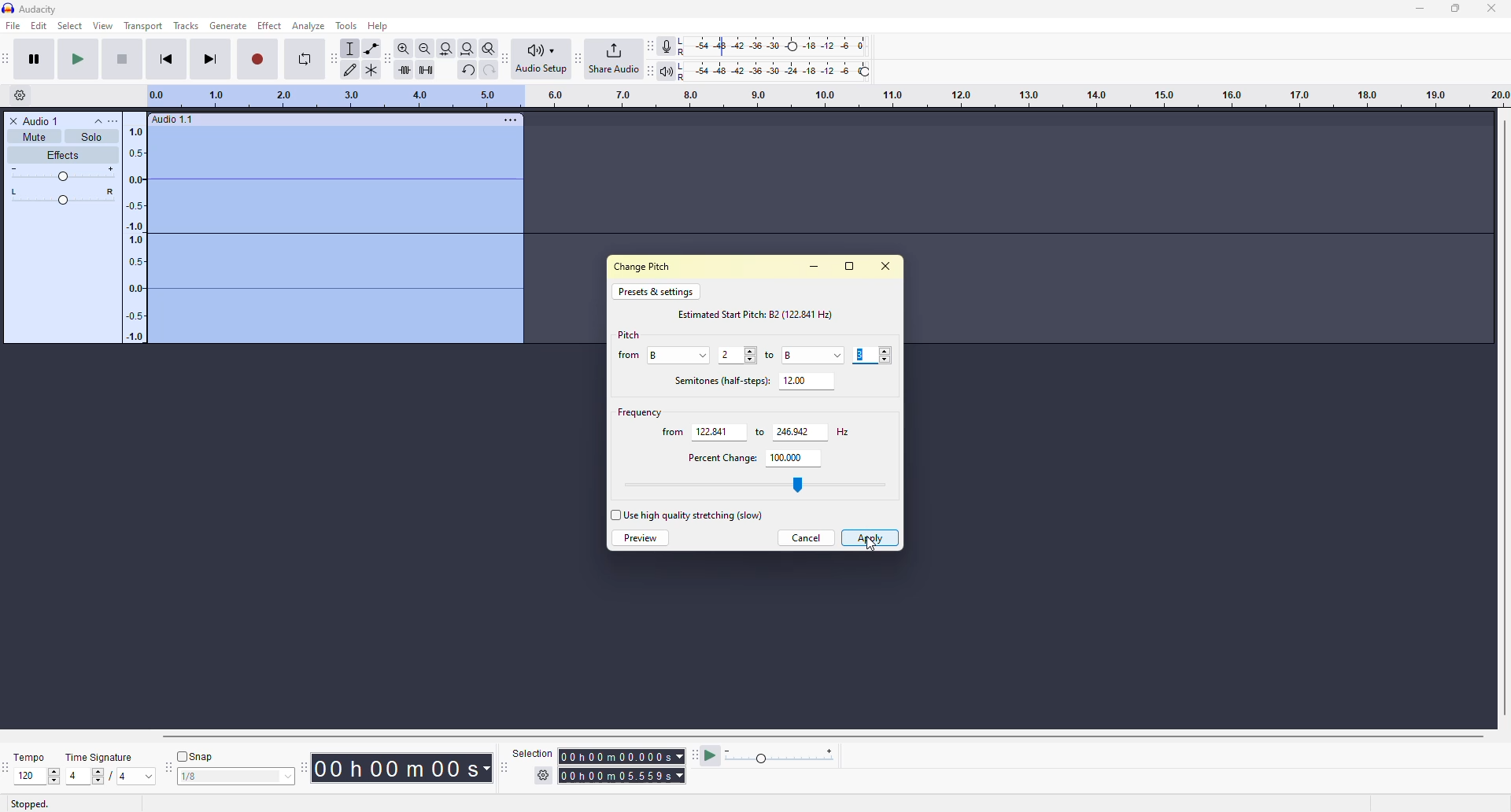 The width and height of the screenshot is (1511, 812). Describe the element at coordinates (168, 767) in the screenshot. I see `snapping toolbar` at that location.